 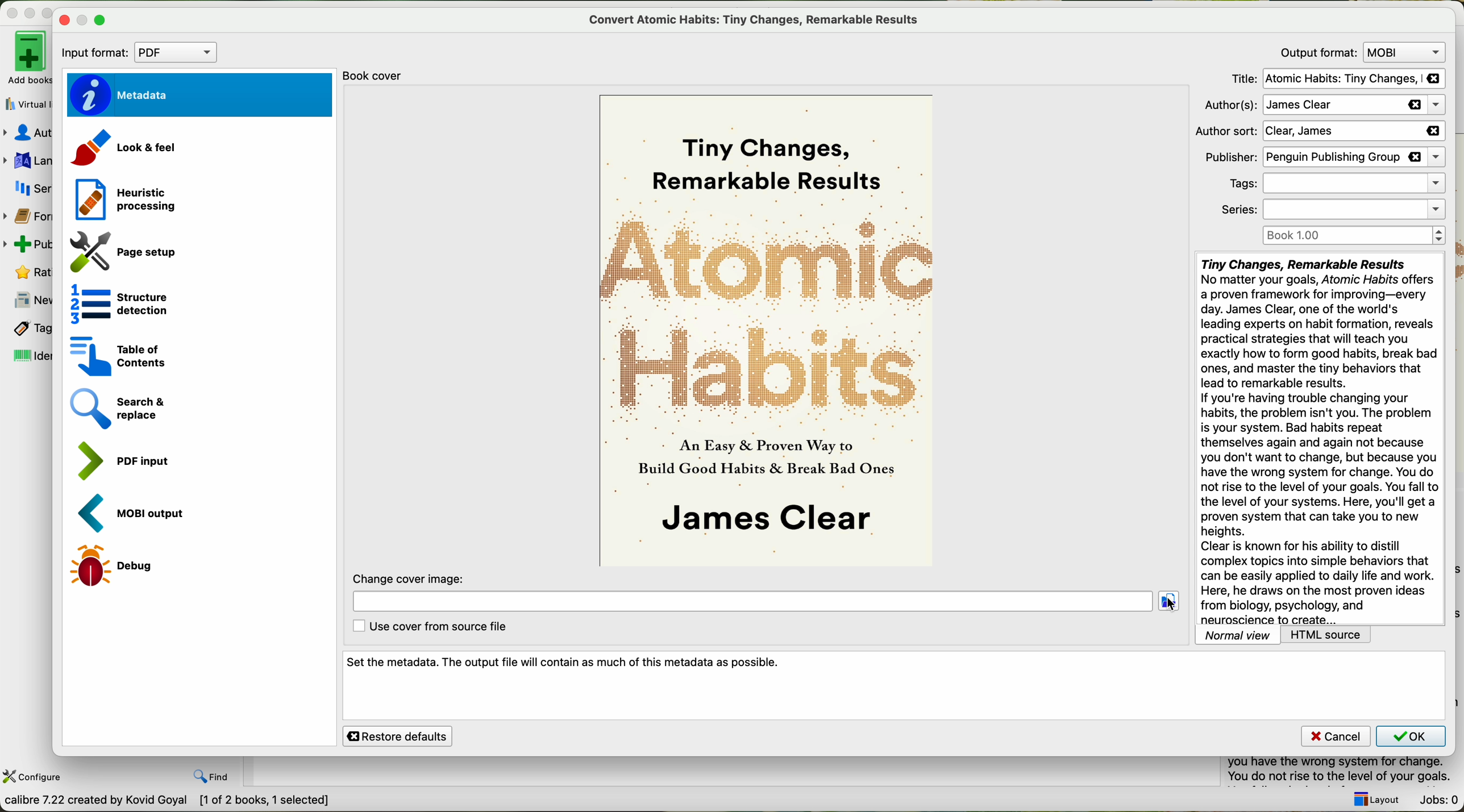 What do you see at coordinates (27, 132) in the screenshot?
I see `authors` at bounding box center [27, 132].